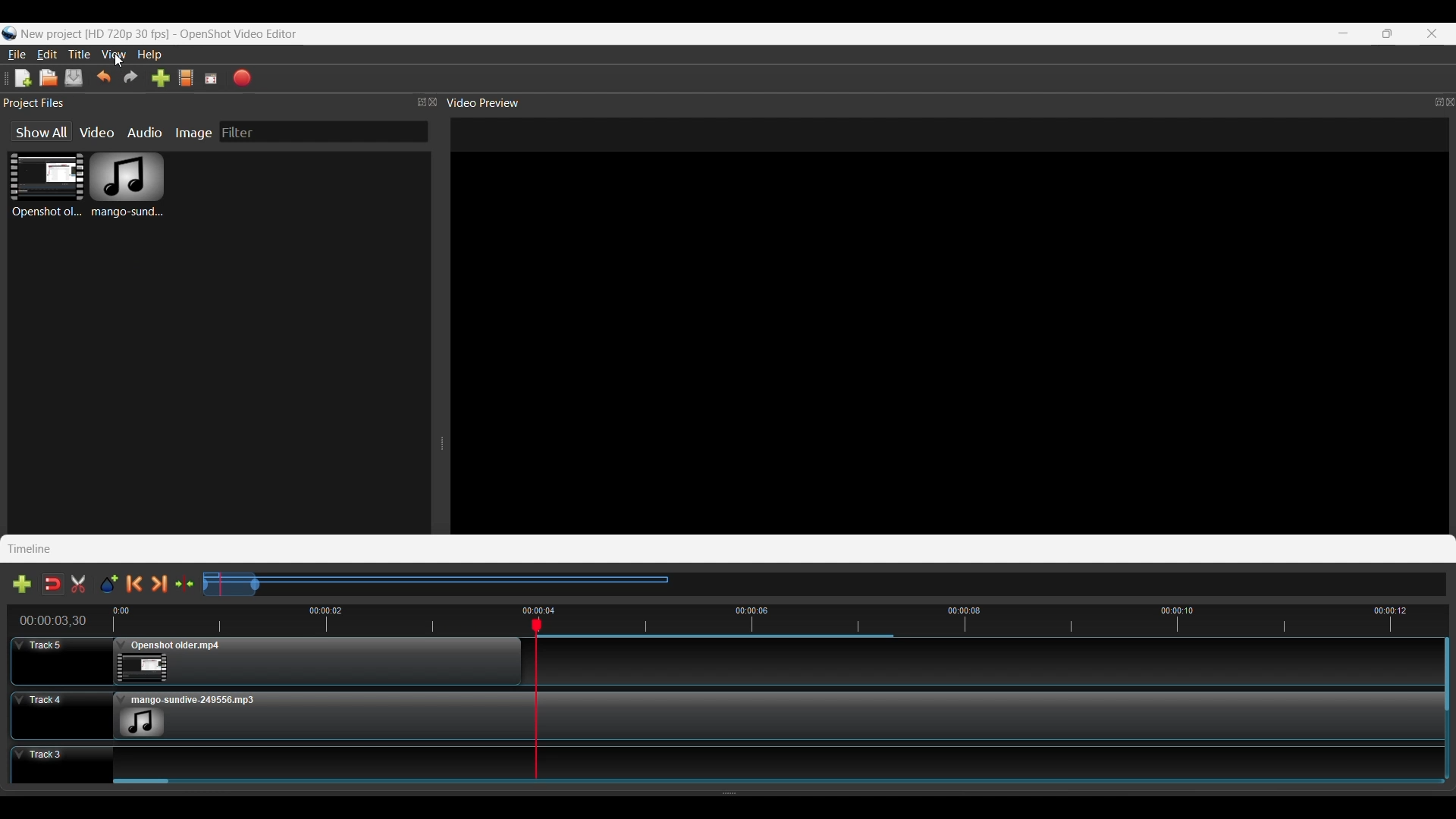 Image resolution: width=1456 pixels, height=819 pixels. I want to click on Choose Profile, so click(187, 78).